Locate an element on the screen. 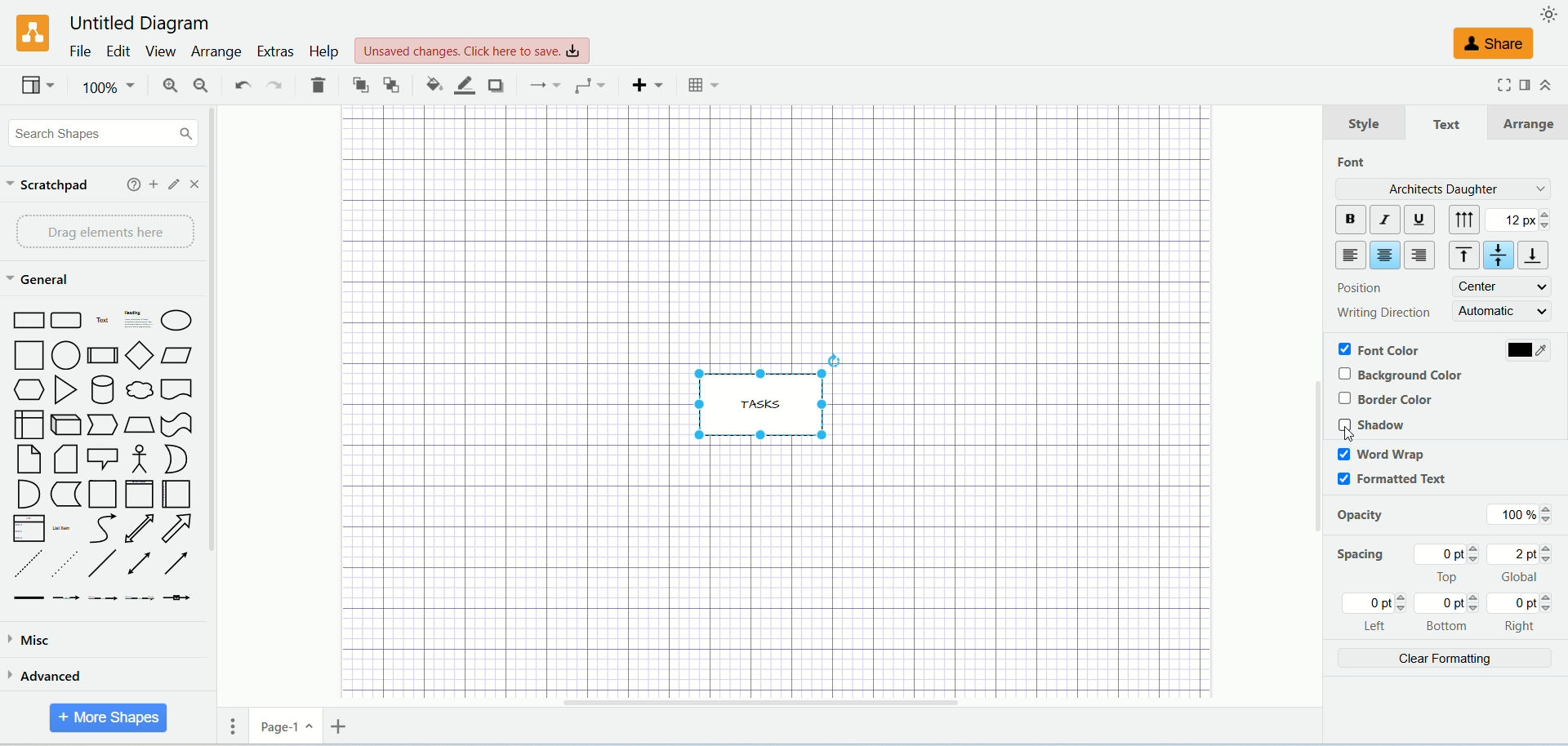 This screenshot has height=746, width=1568. Tasks is located at coordinates (768, 394).